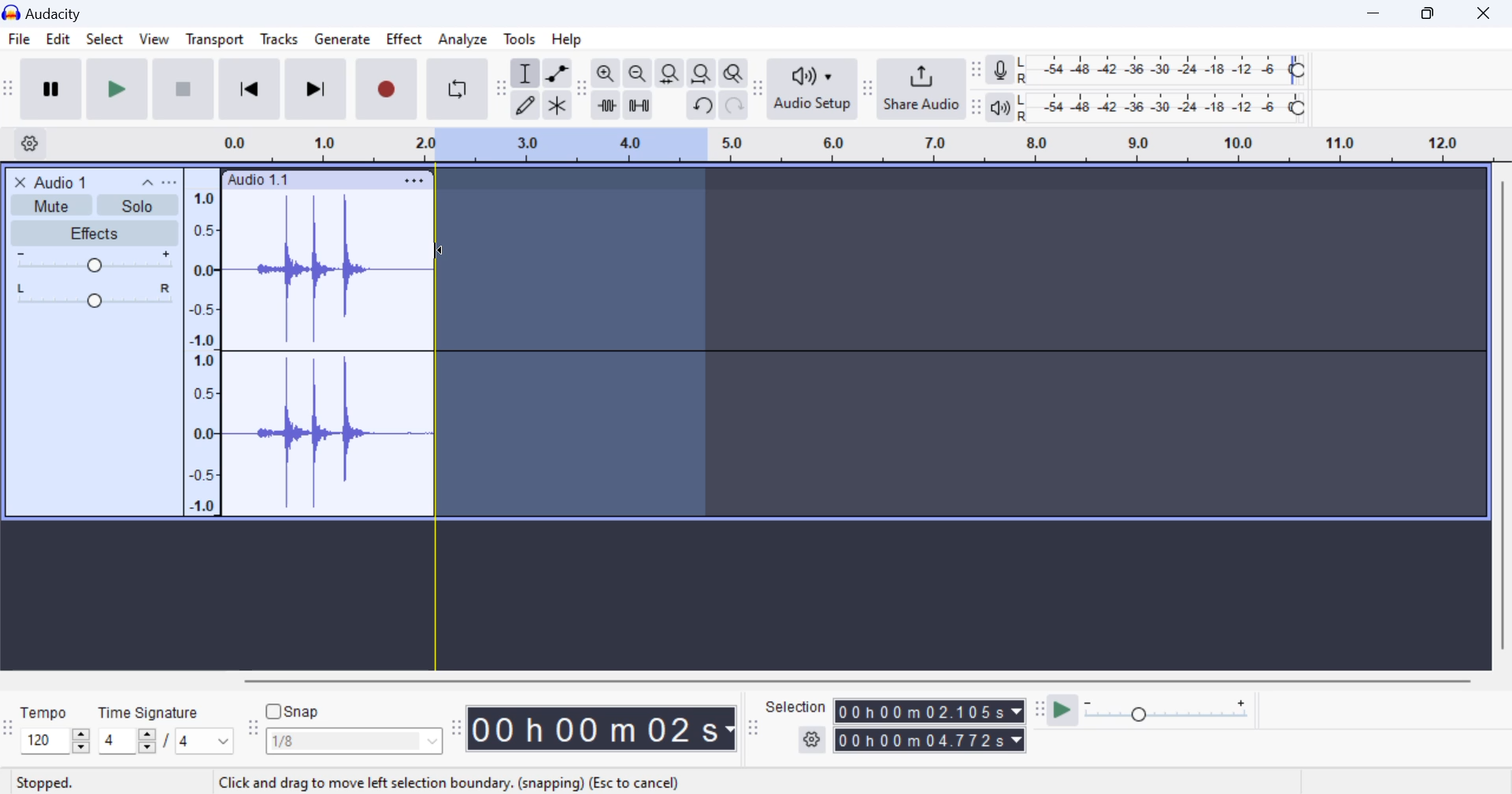 Image resolution: width=1512 pixels, height=794 pixels. What do you see at coordinates (118, 88) in the screenshot?
I see `Play` at bounding box center [118, 88].